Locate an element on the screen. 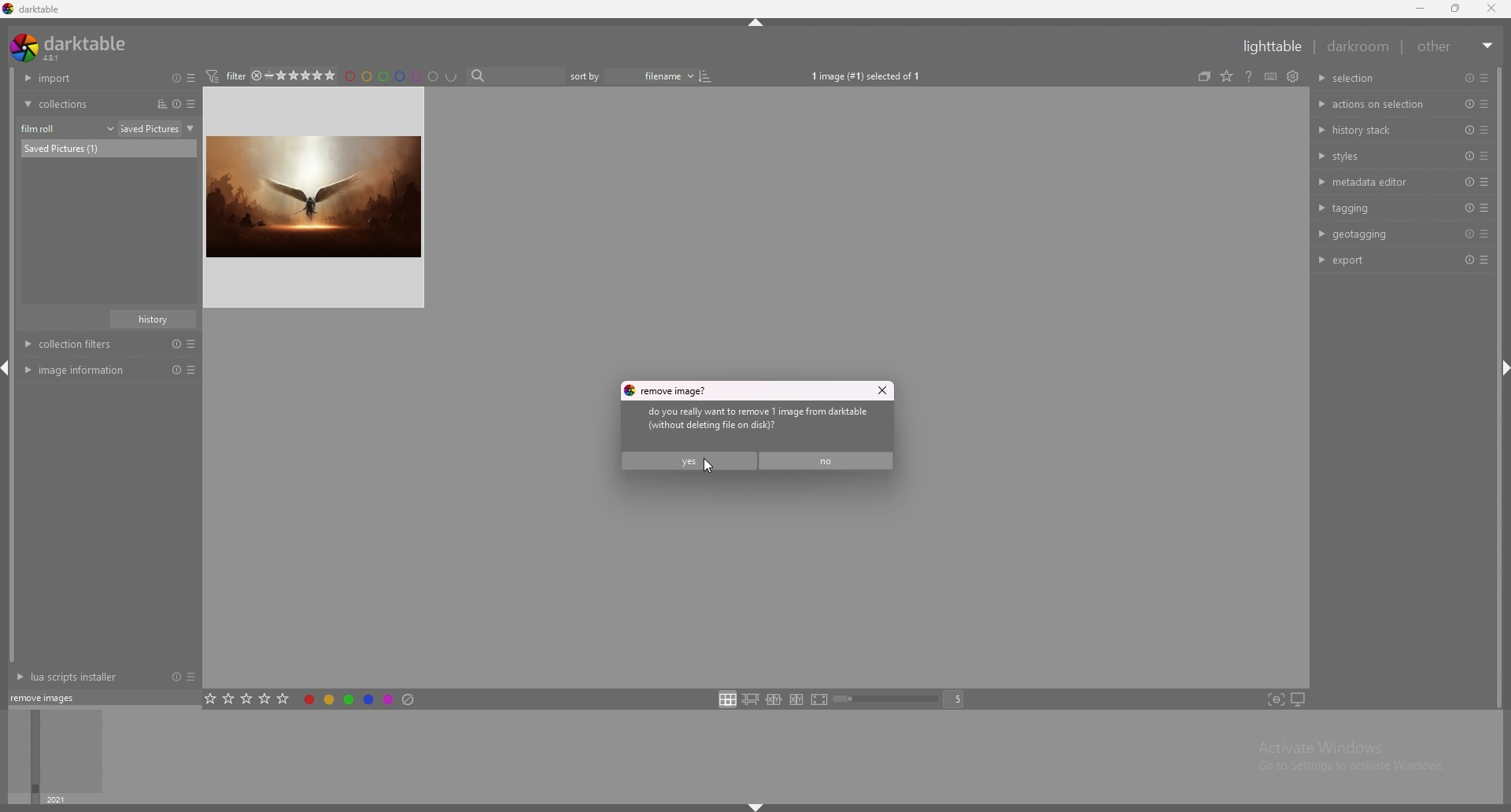 Image resolution: width=1511 pixels, height=812 pixels. close is located at coordinates (1494, 9).